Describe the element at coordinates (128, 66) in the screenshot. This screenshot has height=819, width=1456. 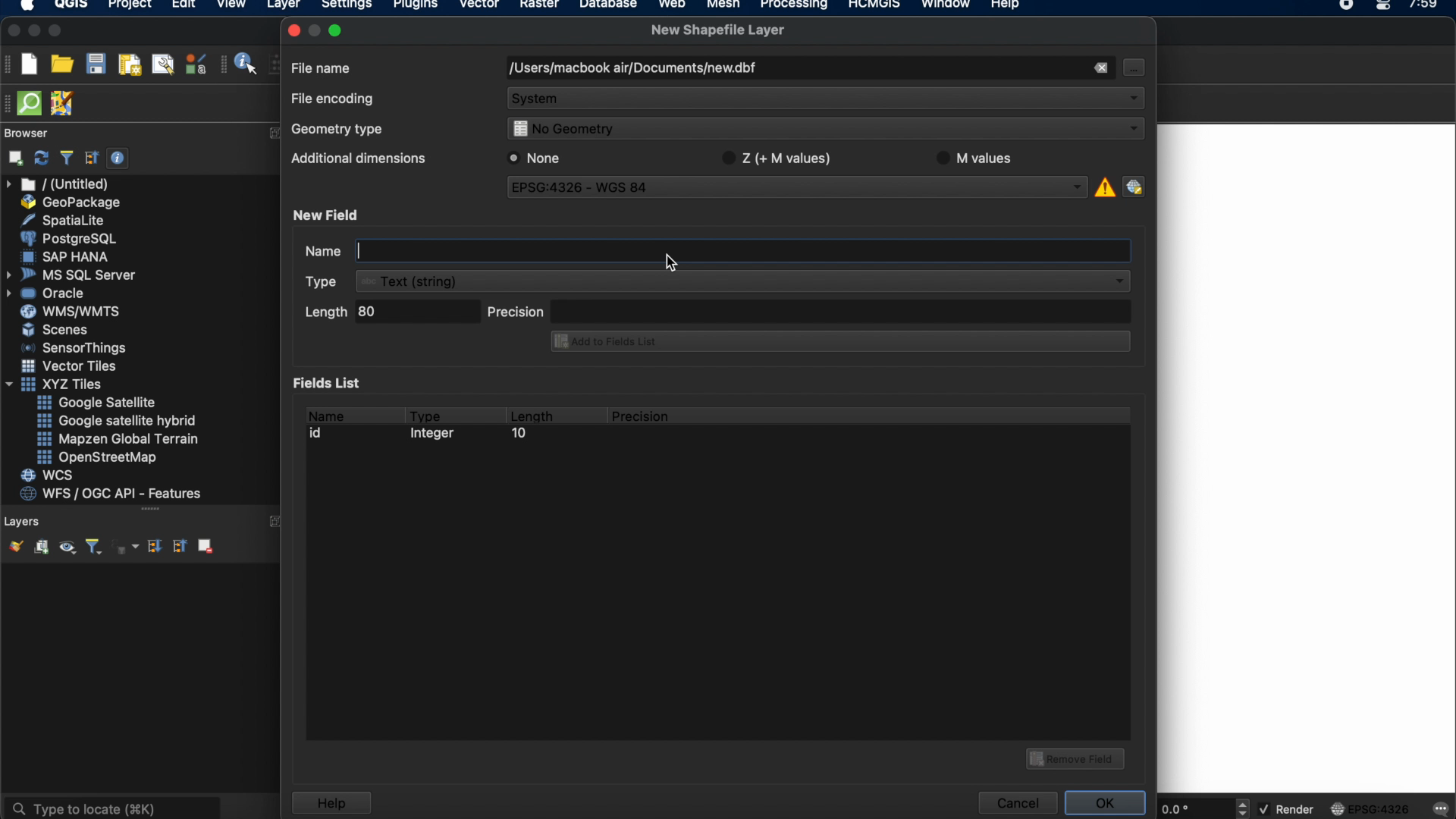
I see `new paint layout` at that location.